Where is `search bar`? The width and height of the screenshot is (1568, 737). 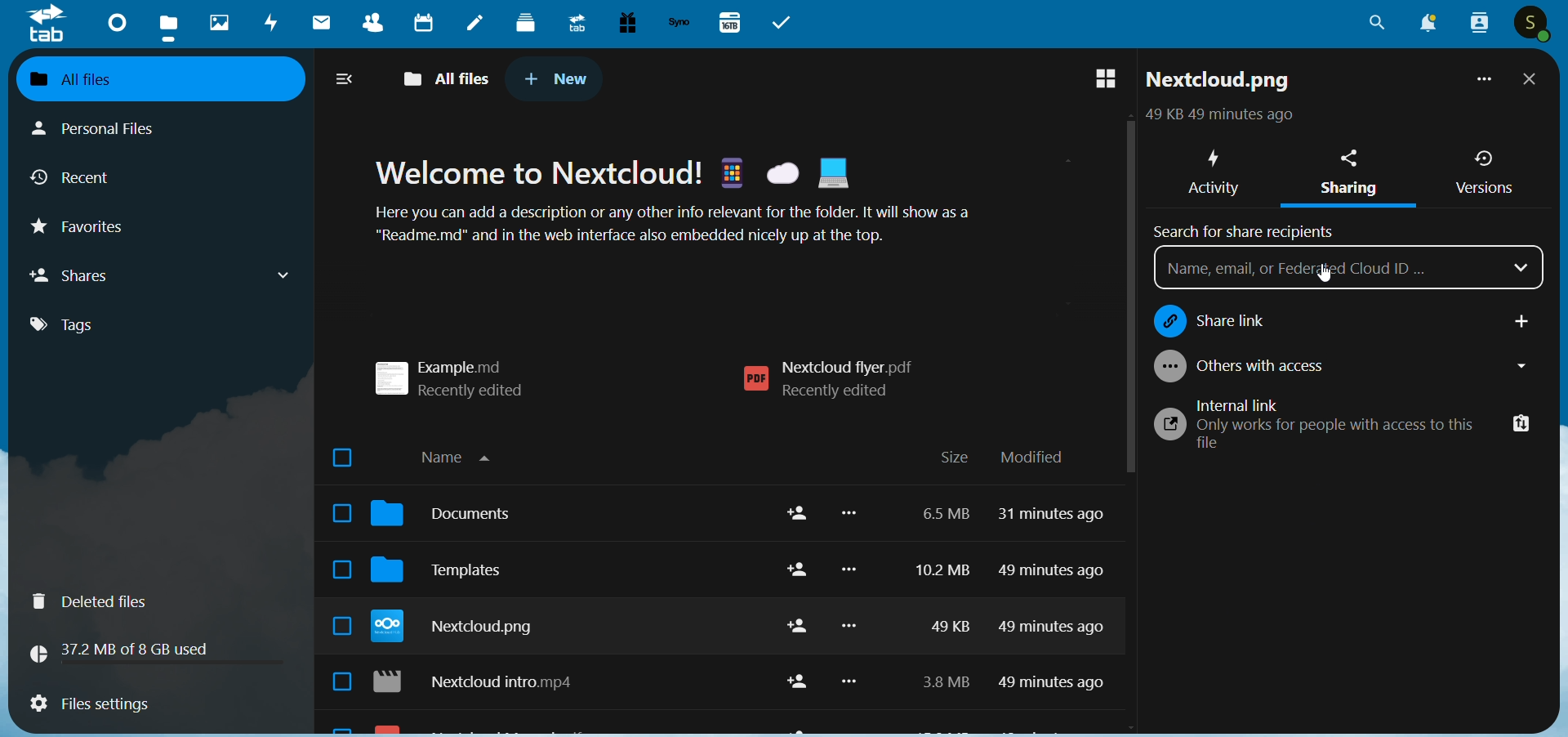 search bar is located at coordinates (1329, 268).